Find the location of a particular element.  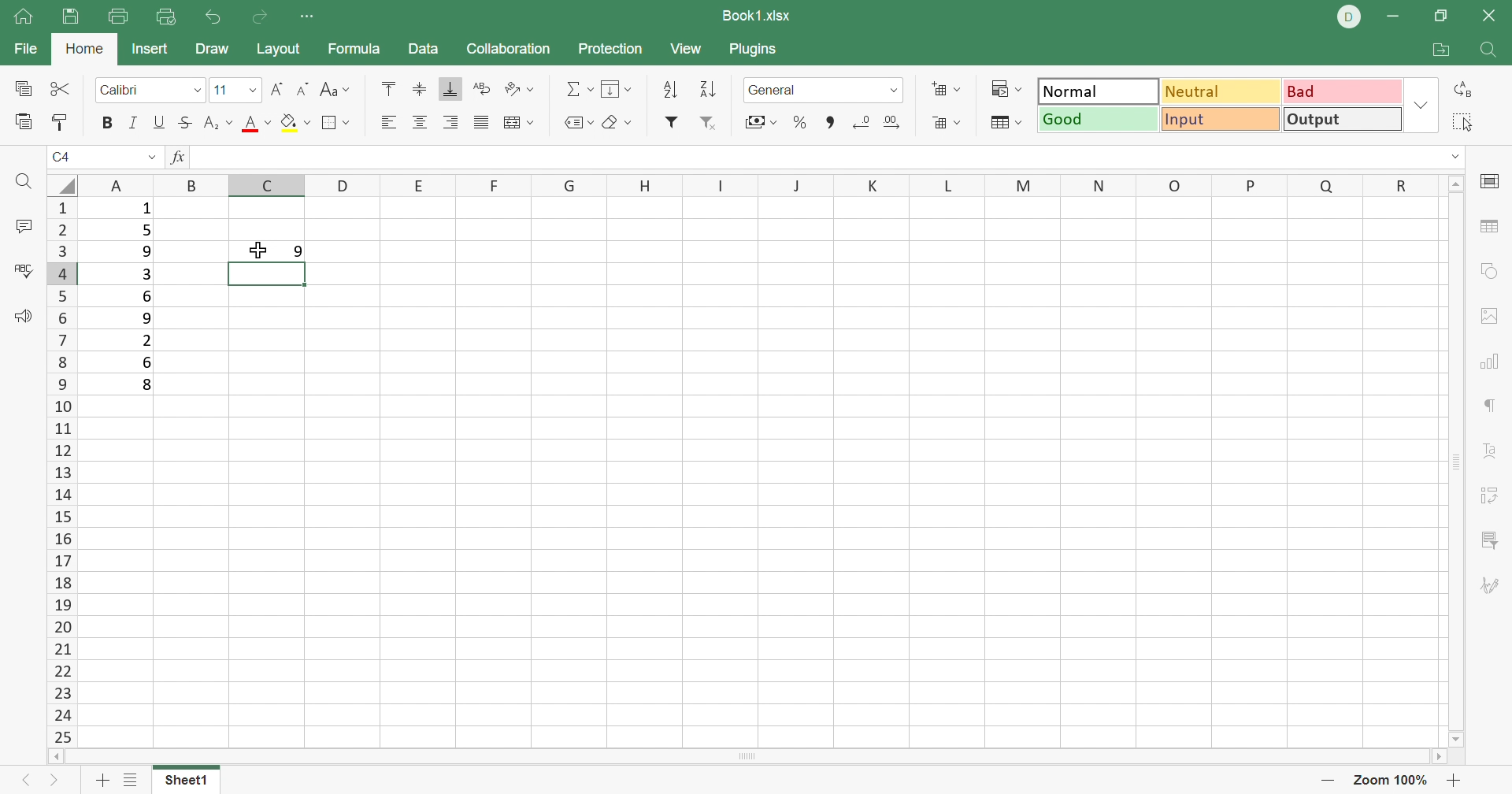

2 is located at coordinates (147, 339).